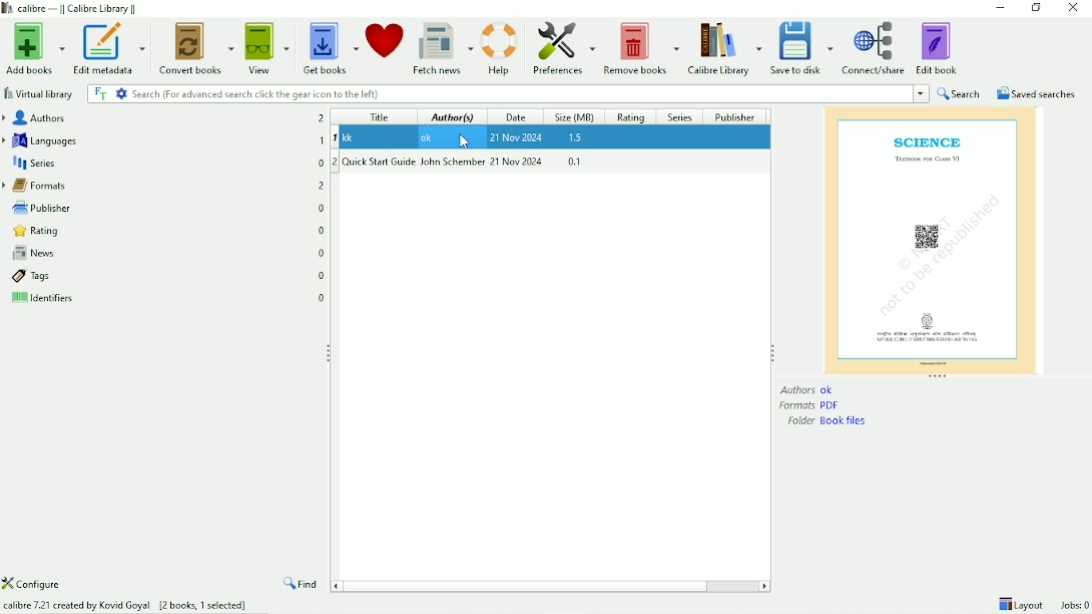 This screenshot has width=1092, height=614. I want to click on Convert books, so click(196, 48).